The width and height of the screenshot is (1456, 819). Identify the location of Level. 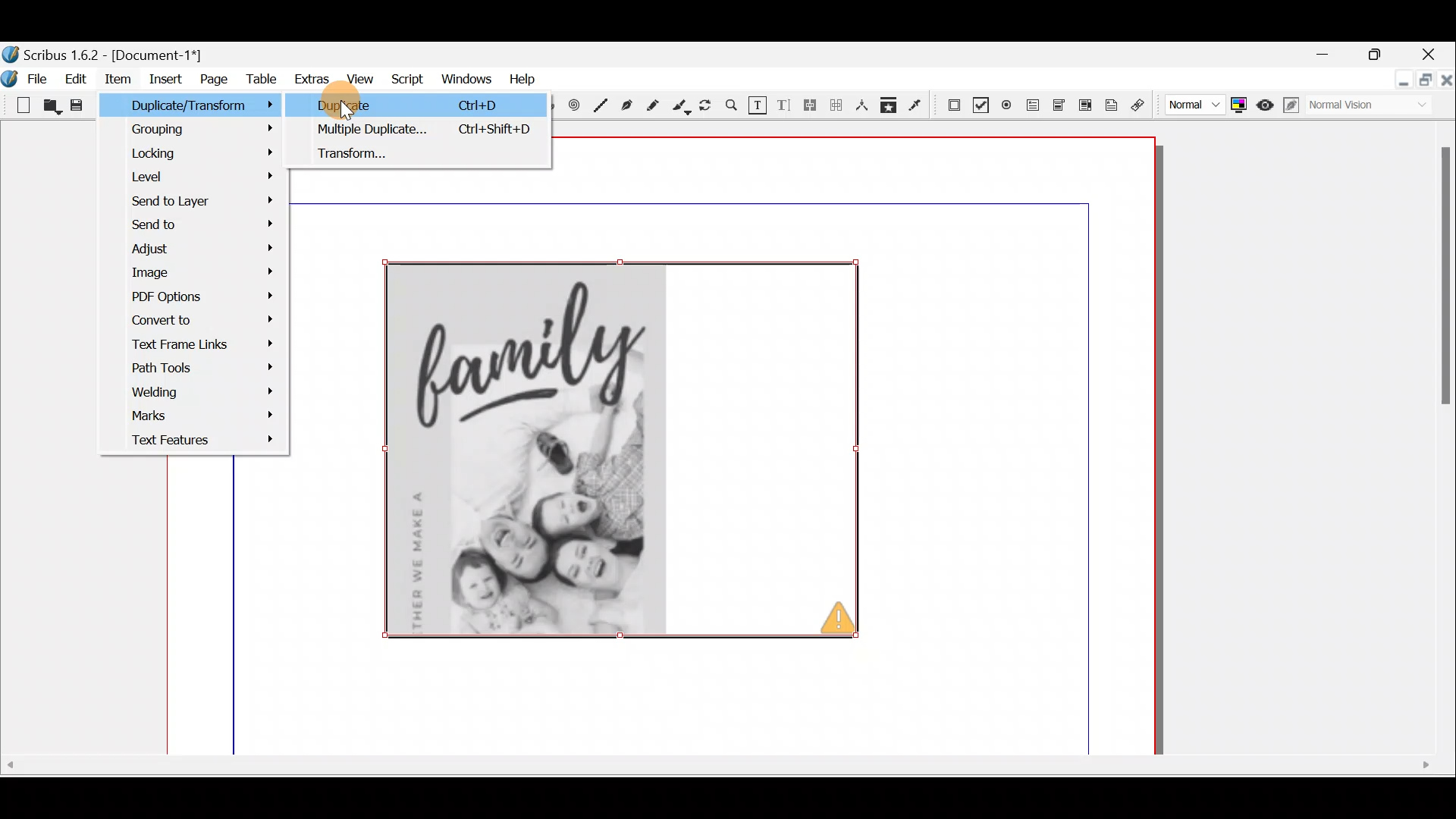
(199, 176).